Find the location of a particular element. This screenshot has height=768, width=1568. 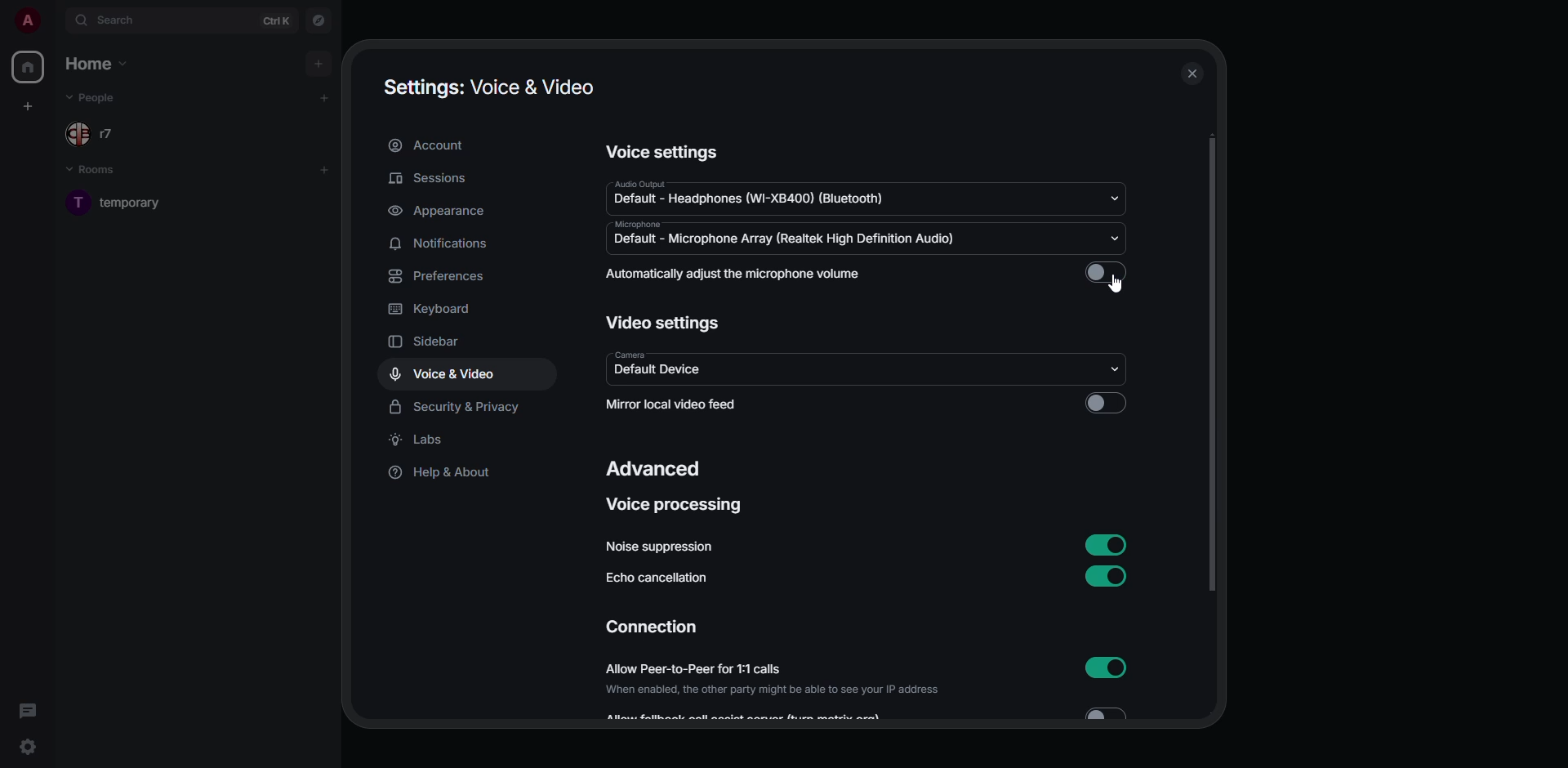

account is located at coordinates (430, 145).